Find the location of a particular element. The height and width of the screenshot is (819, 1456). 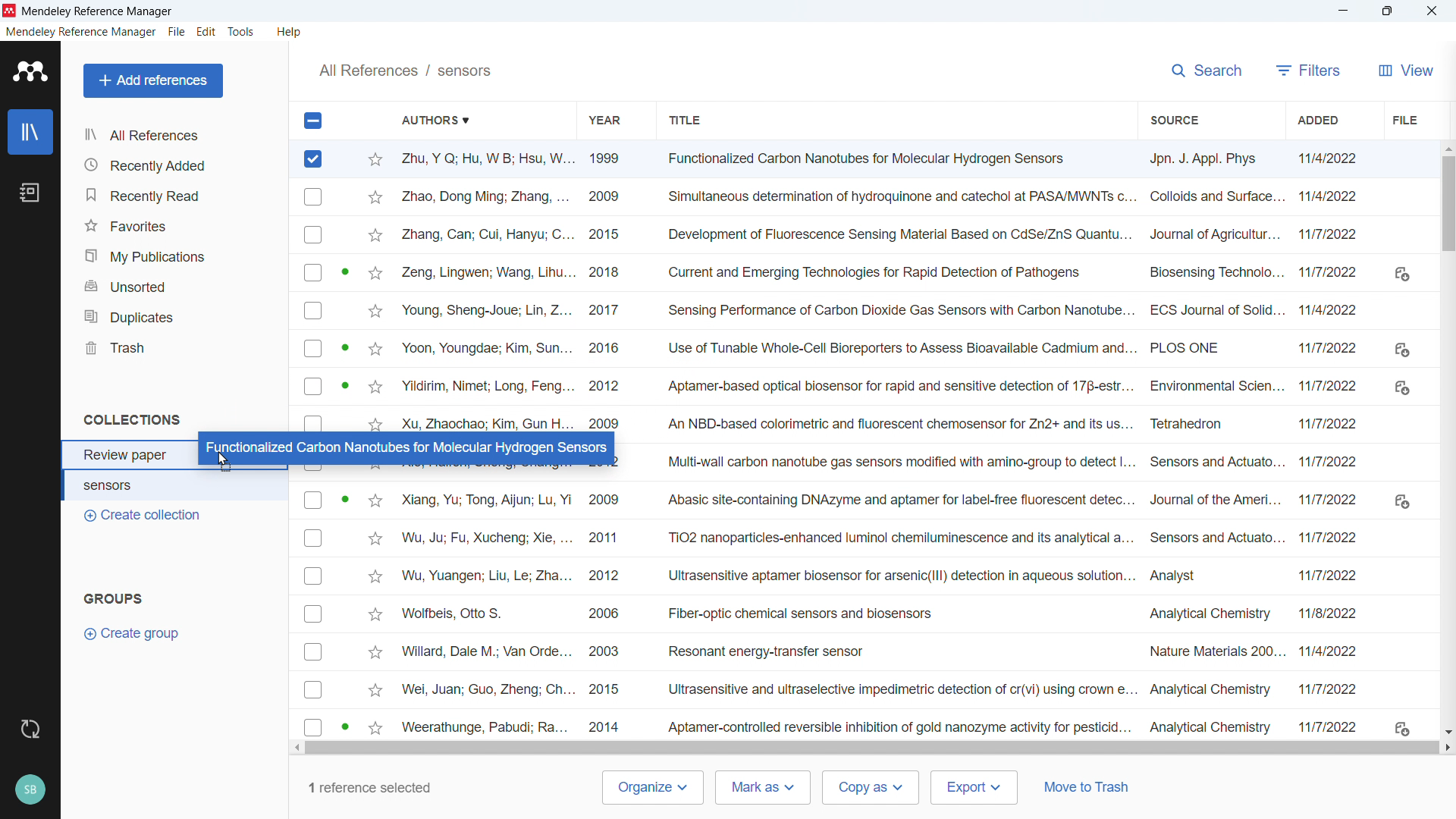

Library  is located at coordinates (30, 132).